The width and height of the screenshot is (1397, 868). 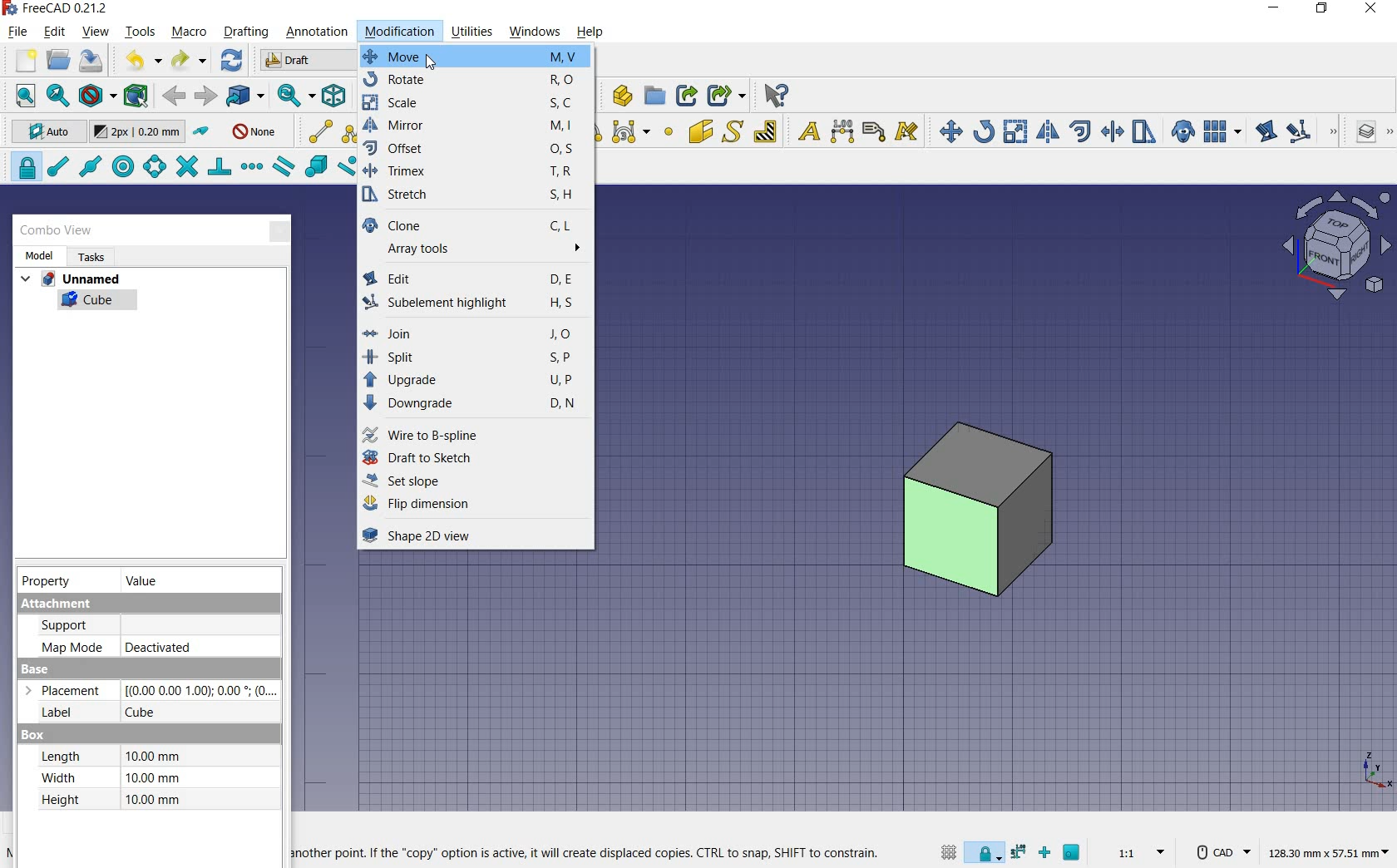 What do you see at coordinates (843, 131) in the screenshot?
I see `dimension` at bounding box center [843, 131].